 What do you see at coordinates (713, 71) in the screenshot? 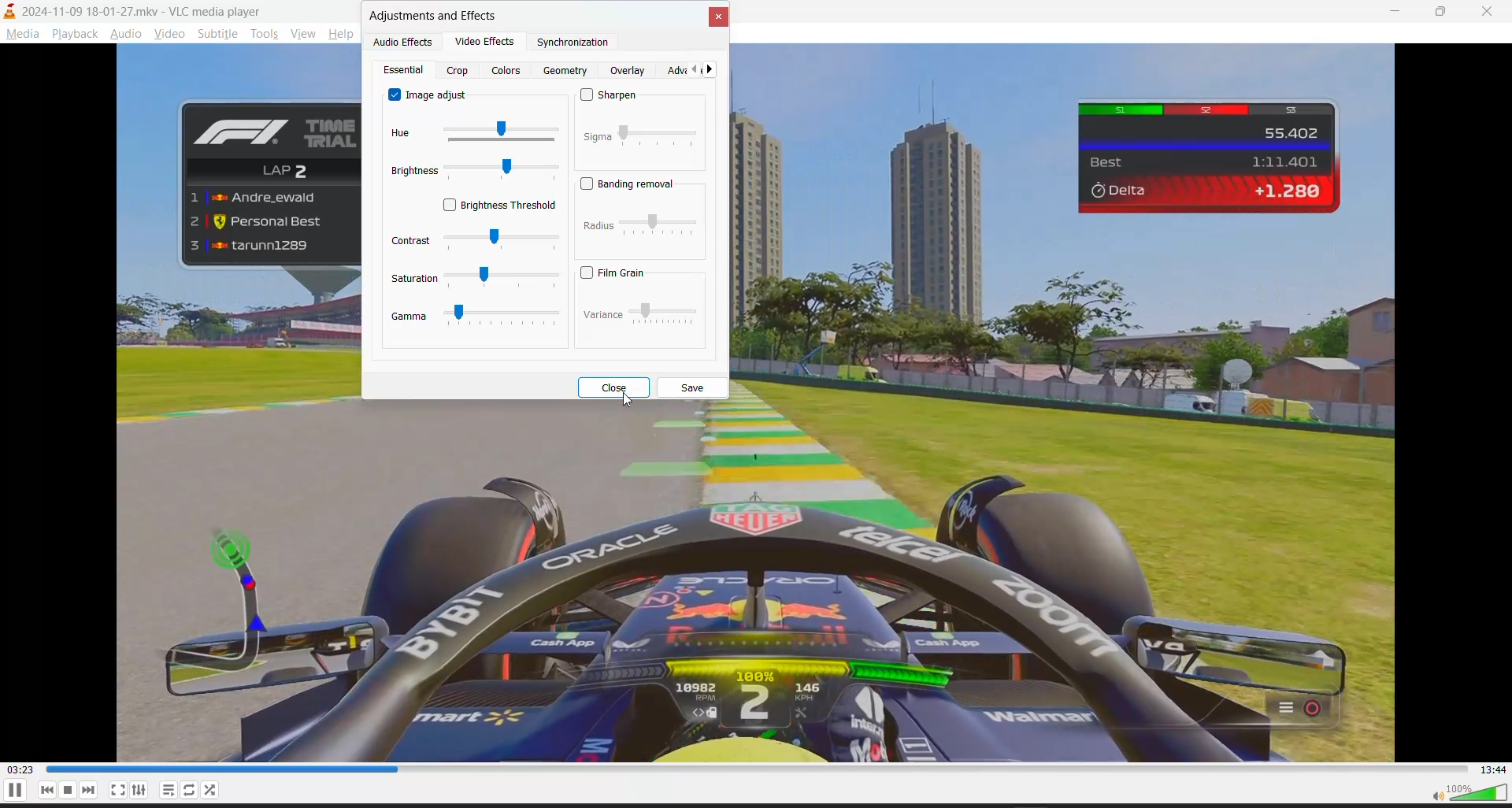
I see `next` at bounding box center [713, 71].